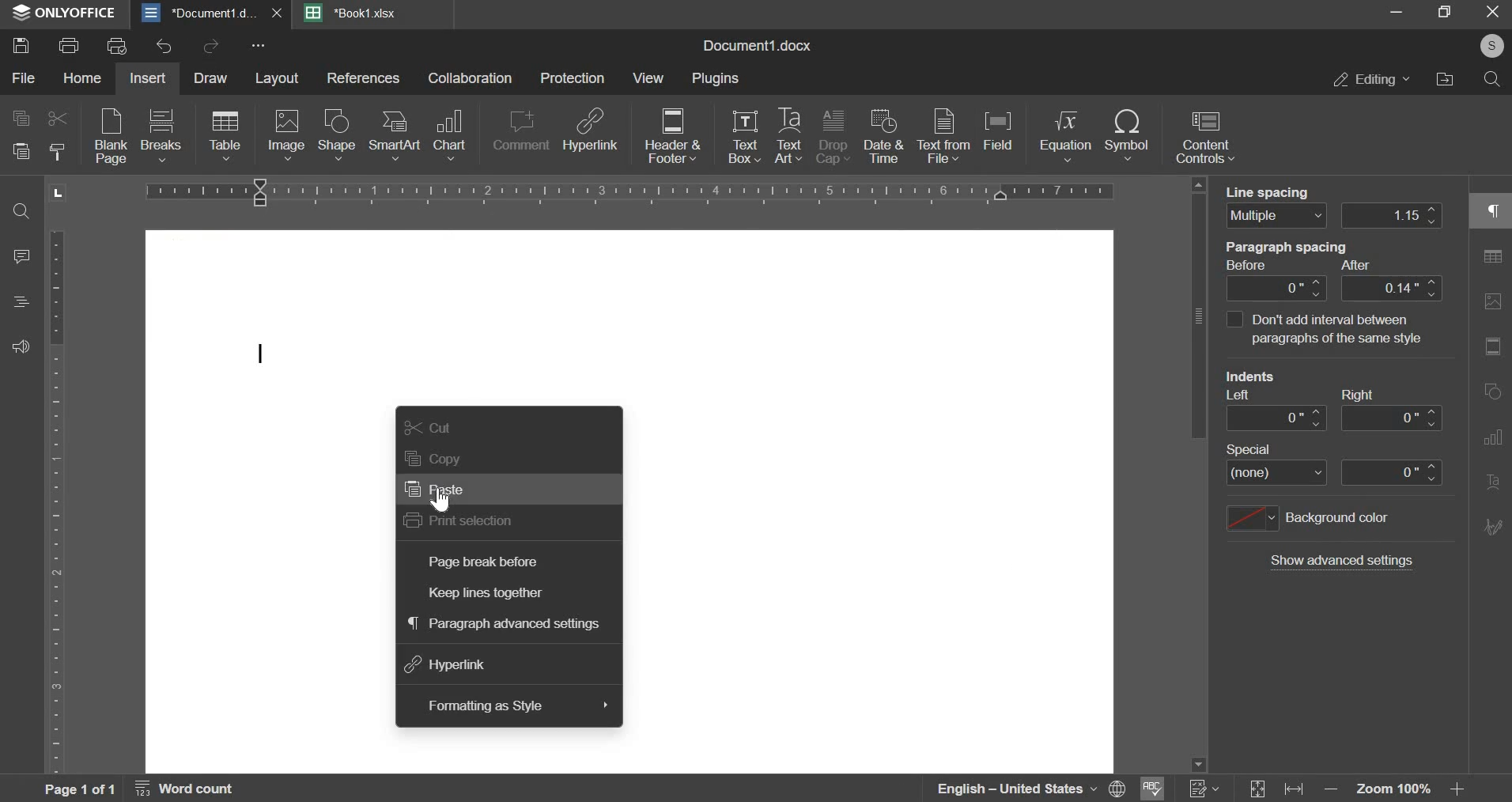 This screenshot has width=1512, height=802. Describe the element at coordinates (108, 138) in the screenshot. I see `insert blank page` at that location.